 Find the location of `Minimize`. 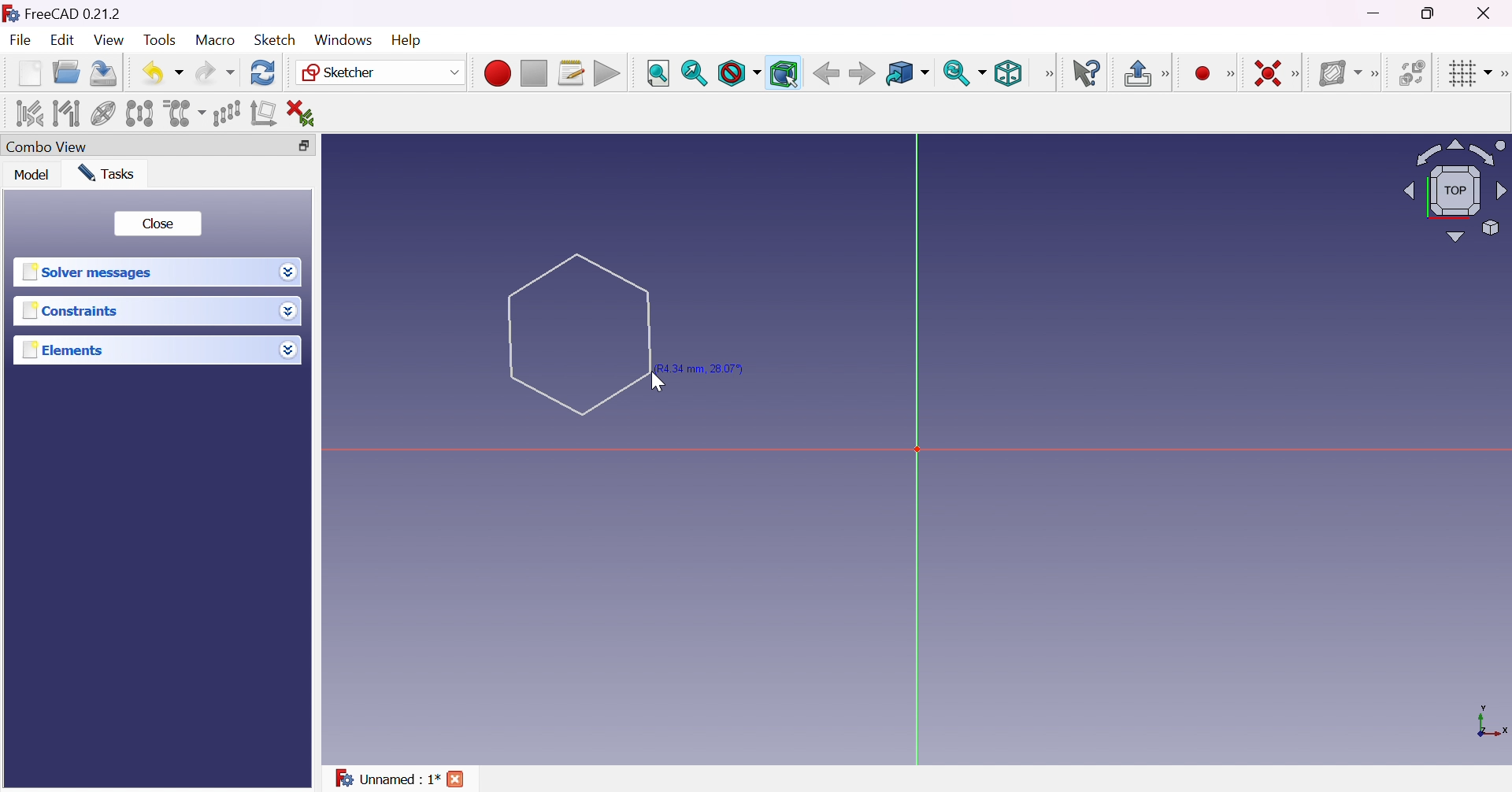

Minimize is located at coordinates (1376, 13).